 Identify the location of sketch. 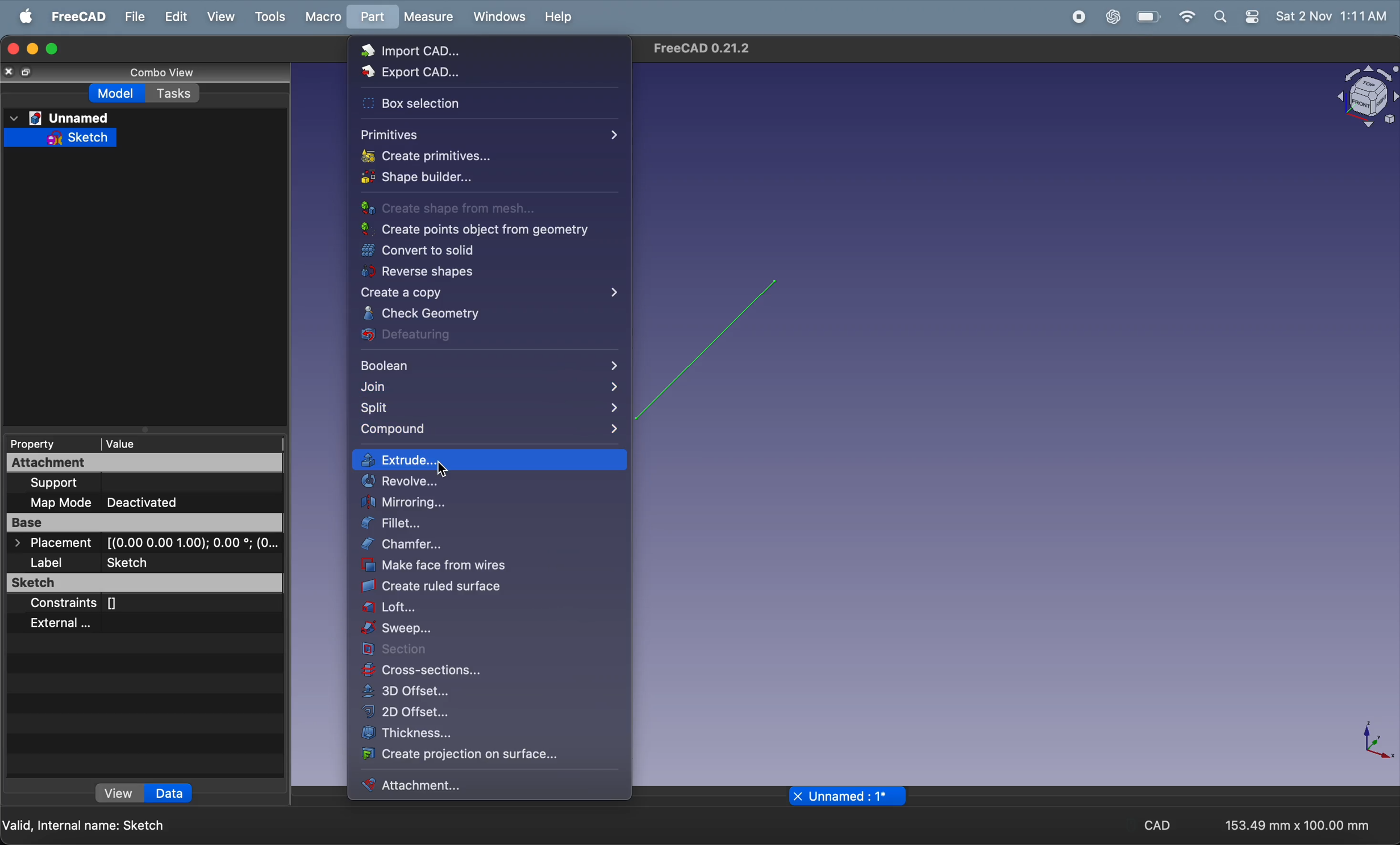
(141, 583).